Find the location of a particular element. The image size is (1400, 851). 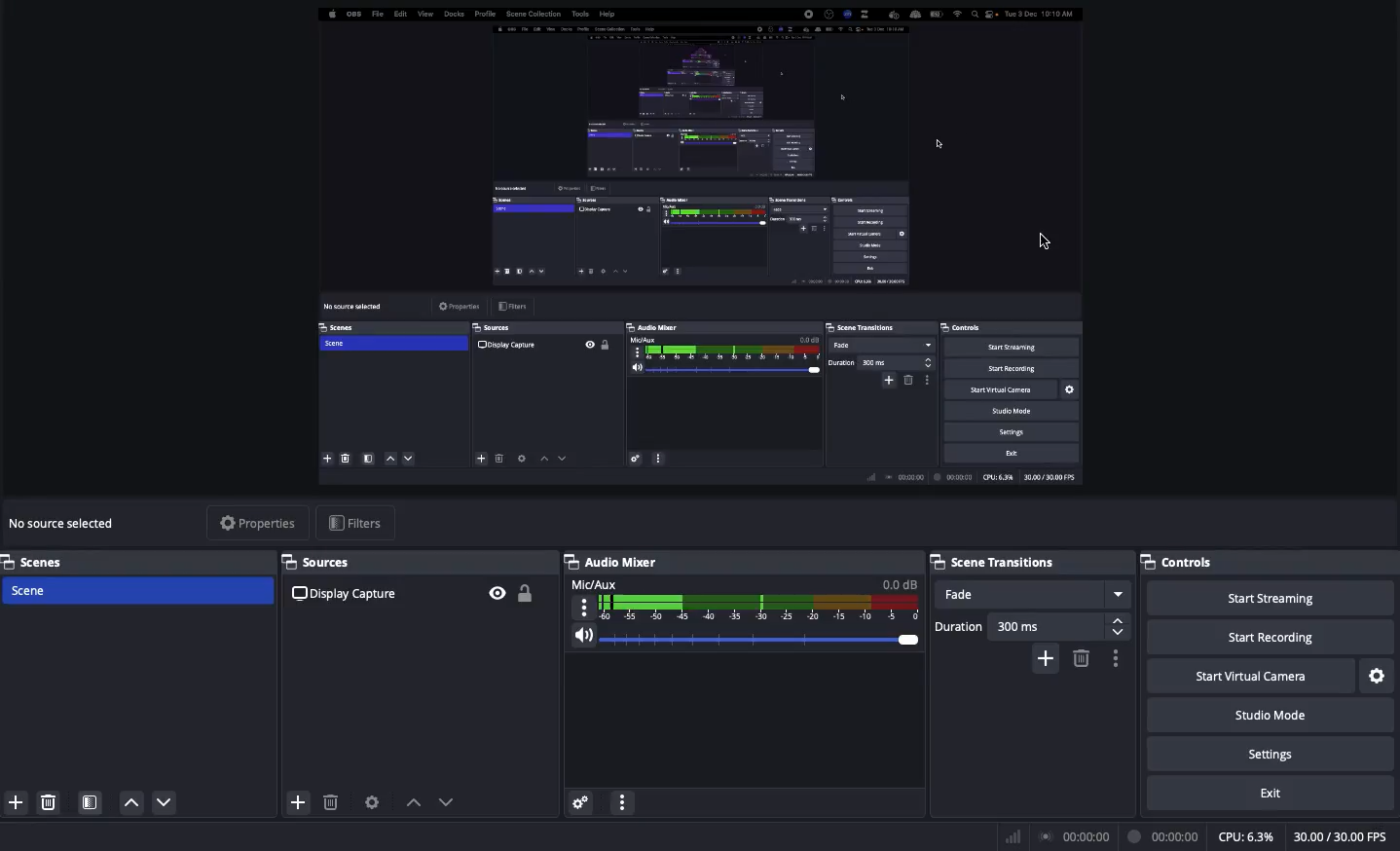

CPU is located at coordinates (1245, 837).